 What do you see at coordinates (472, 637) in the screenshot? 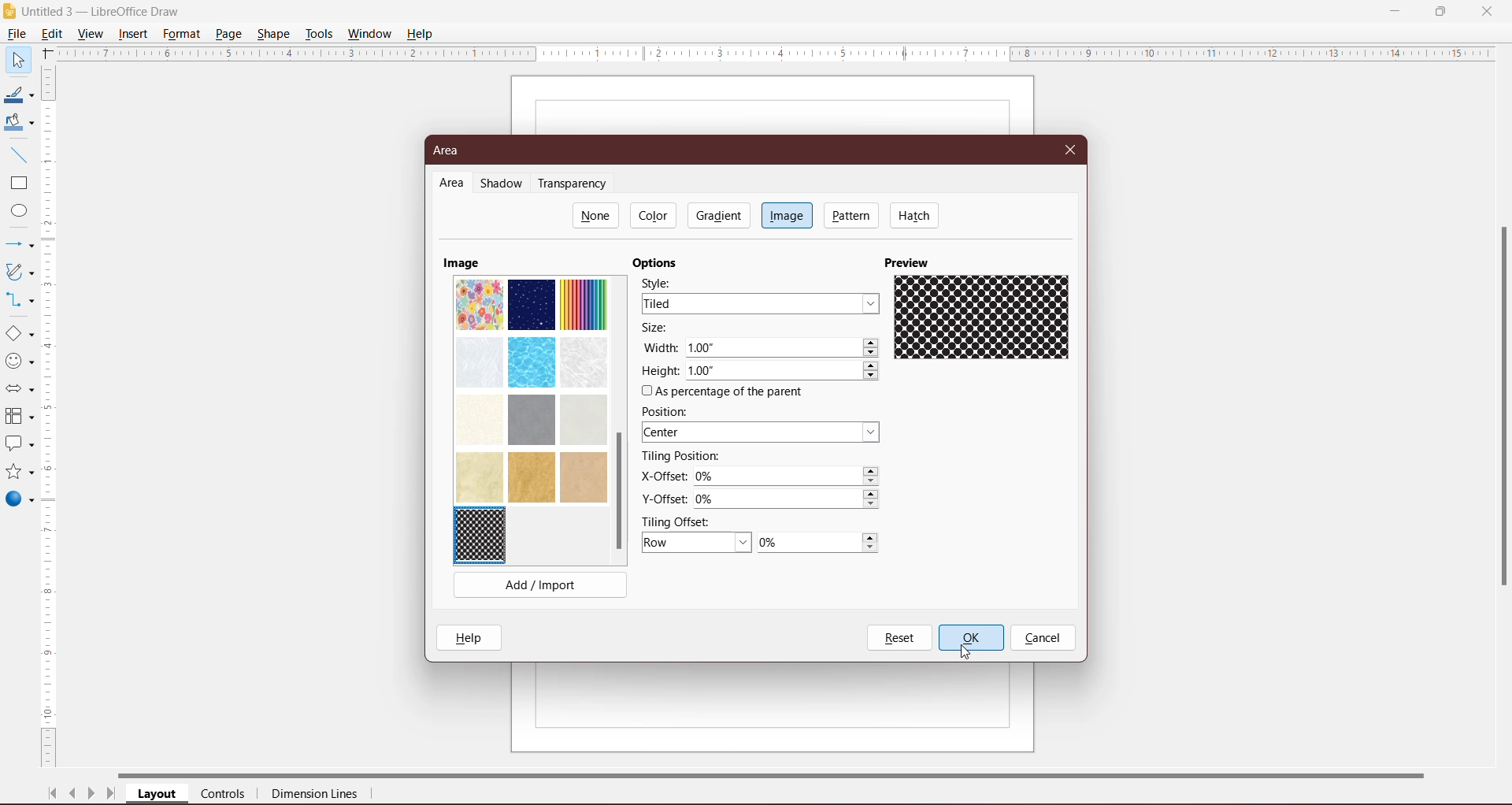
I see `Help` at bounding box center [472, 637].